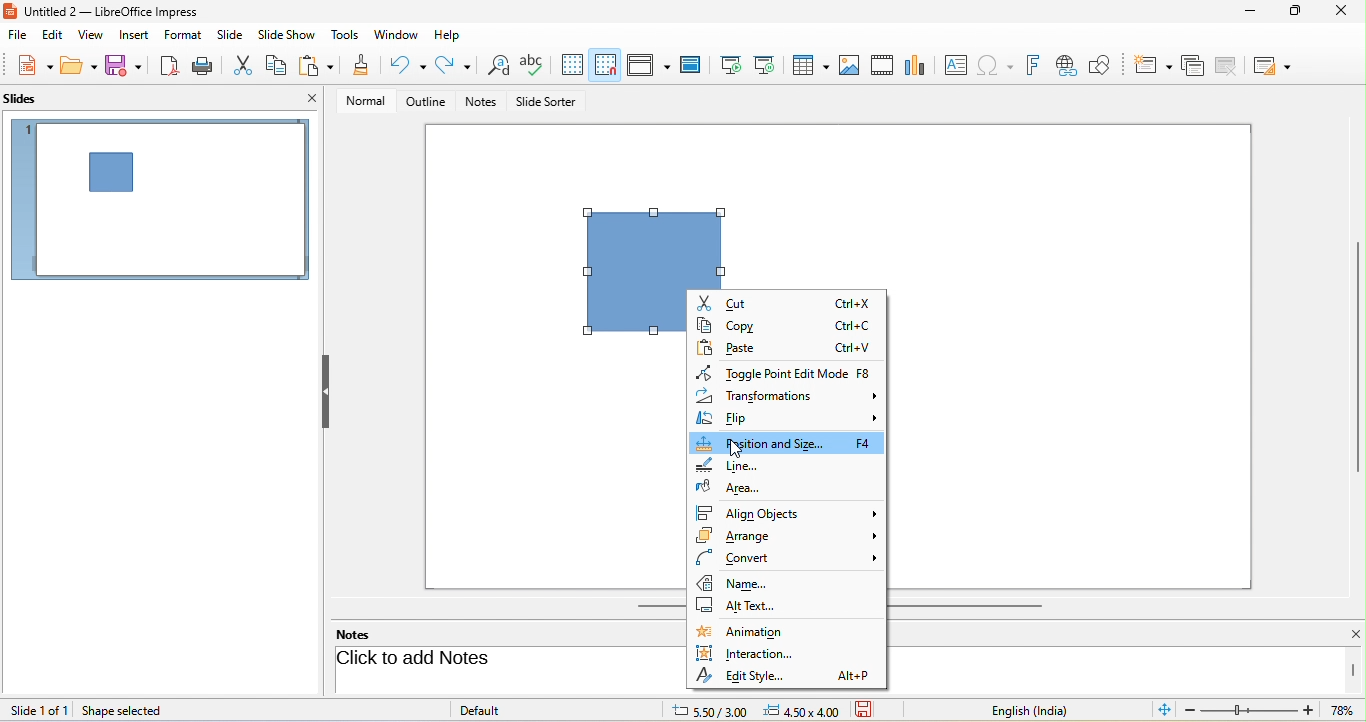 This screenshot has height=722, width=1366. What do you see at coordinates (422, 102) in the screenshot?
I see `outline` at bounding box center [422, 102].